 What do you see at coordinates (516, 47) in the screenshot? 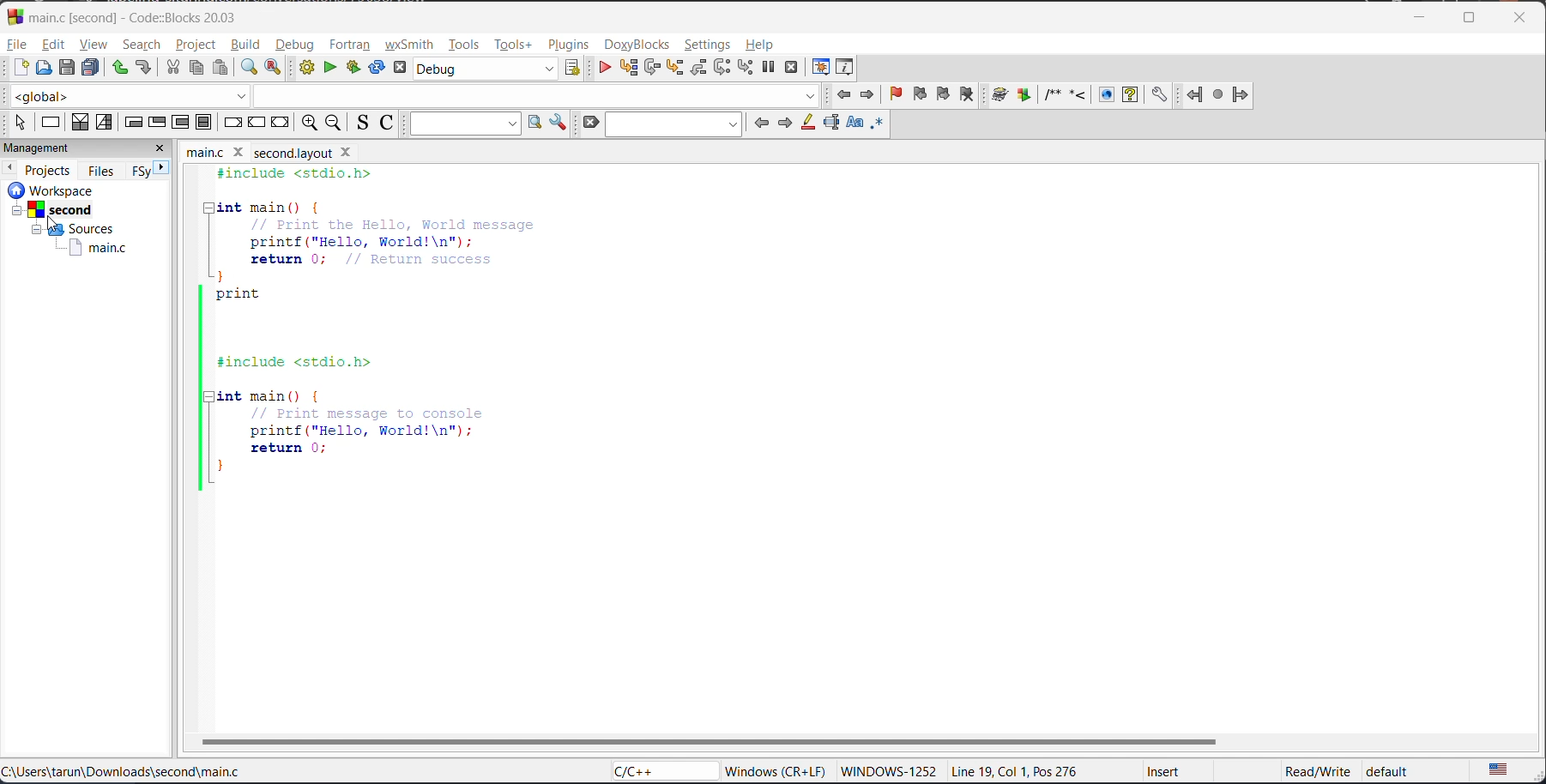
I see `tools+` at bounding box center [516, 47].